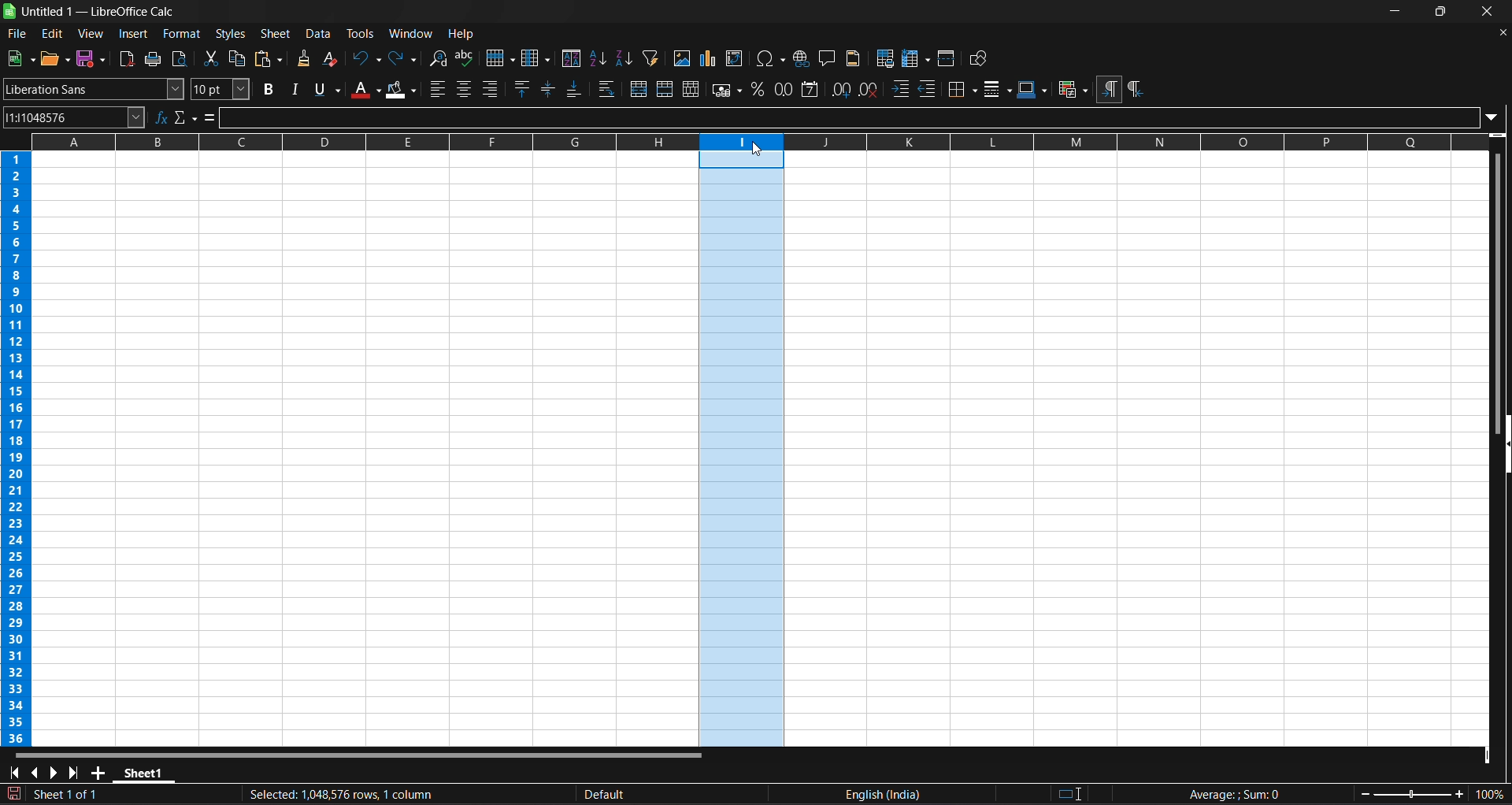 Image resolution: width=1512 pixels, height=805 pixels. Describe the element at coordinates (641, 89) in the screenshot. I see `merge and center or unmerge cells depending on the toggle state` at that location.